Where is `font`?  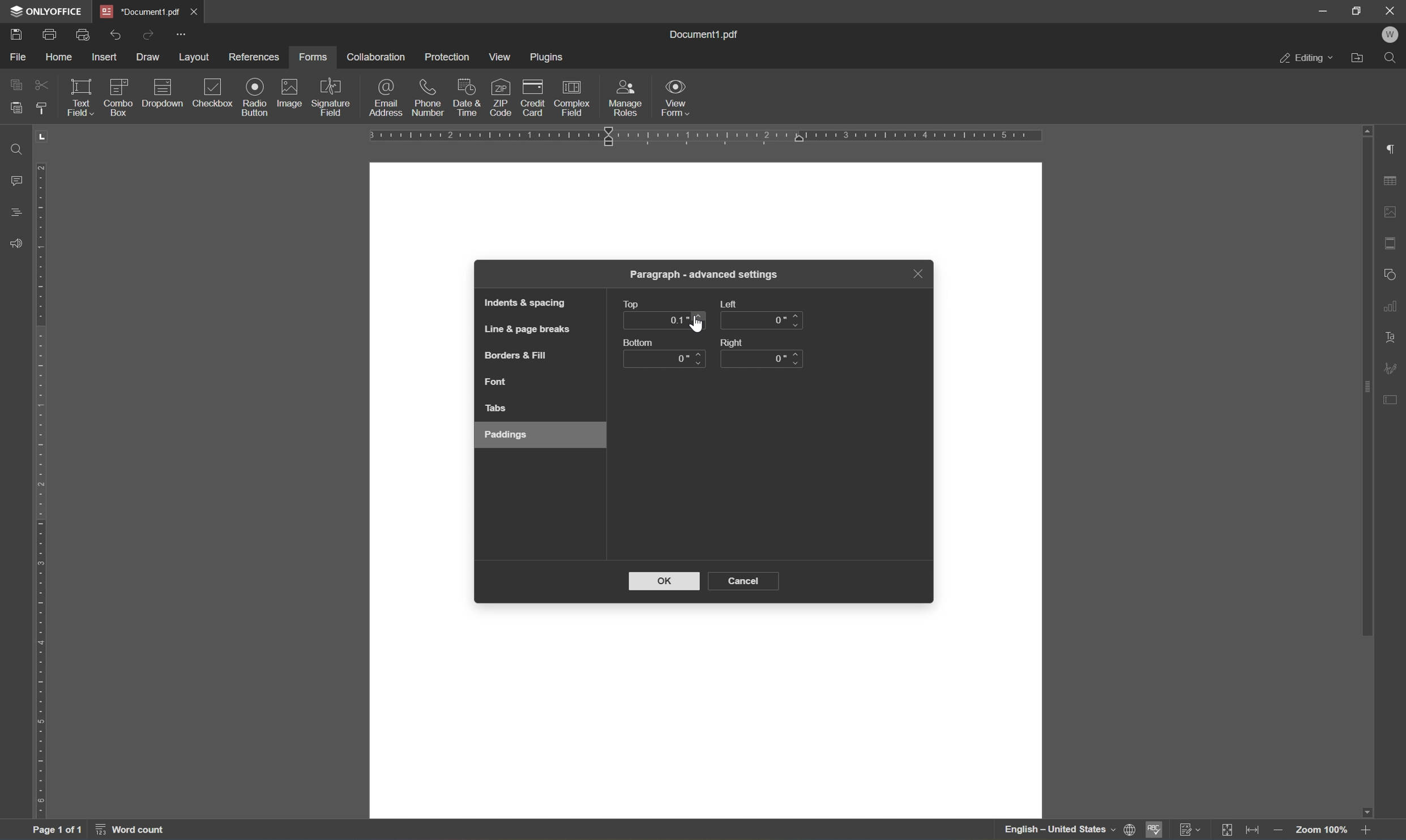
font is located at coordinates (498, 382).